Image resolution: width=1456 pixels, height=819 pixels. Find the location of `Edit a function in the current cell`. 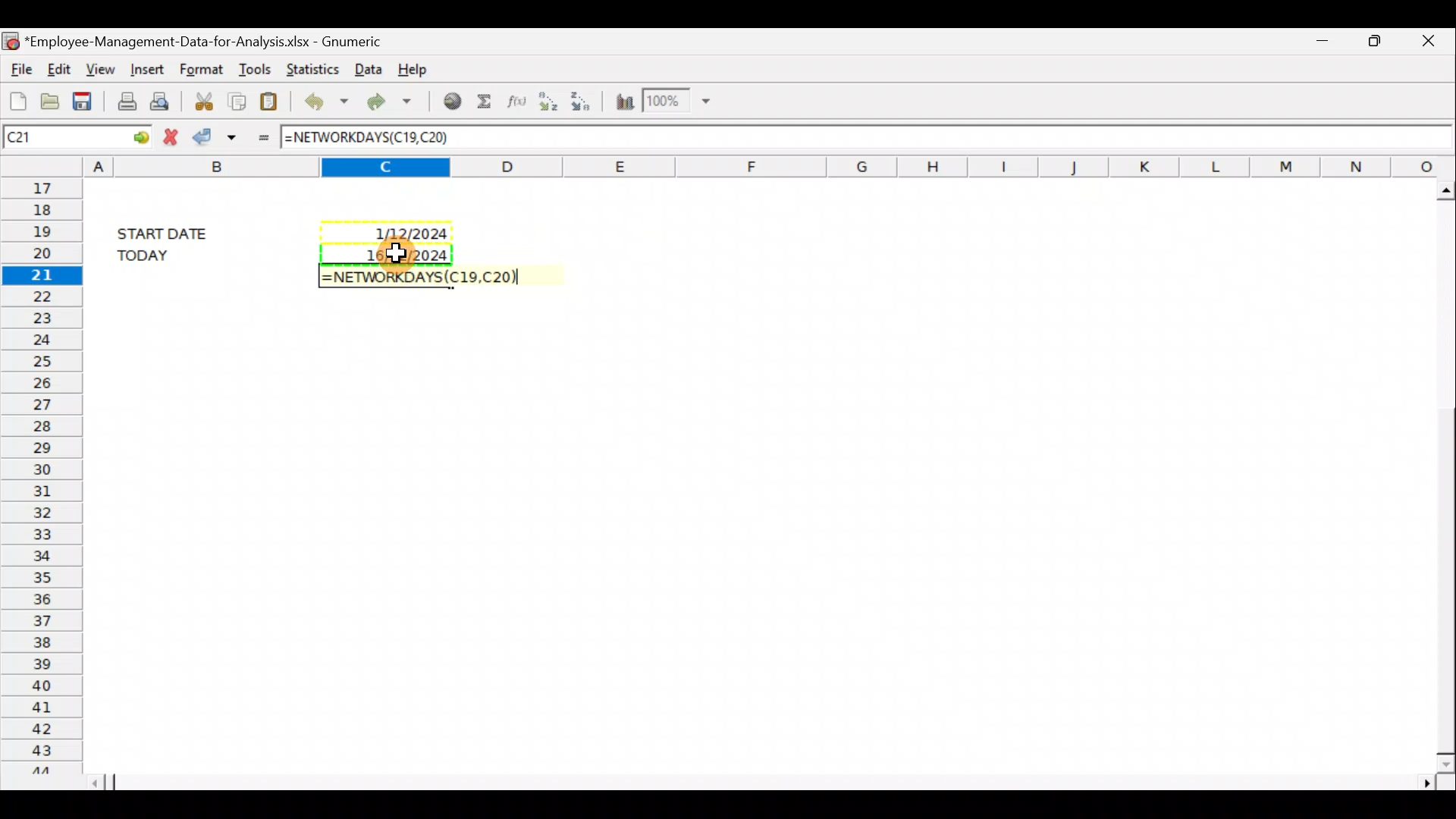

Edit a function in the current cell is located at coordinates (514, 102).